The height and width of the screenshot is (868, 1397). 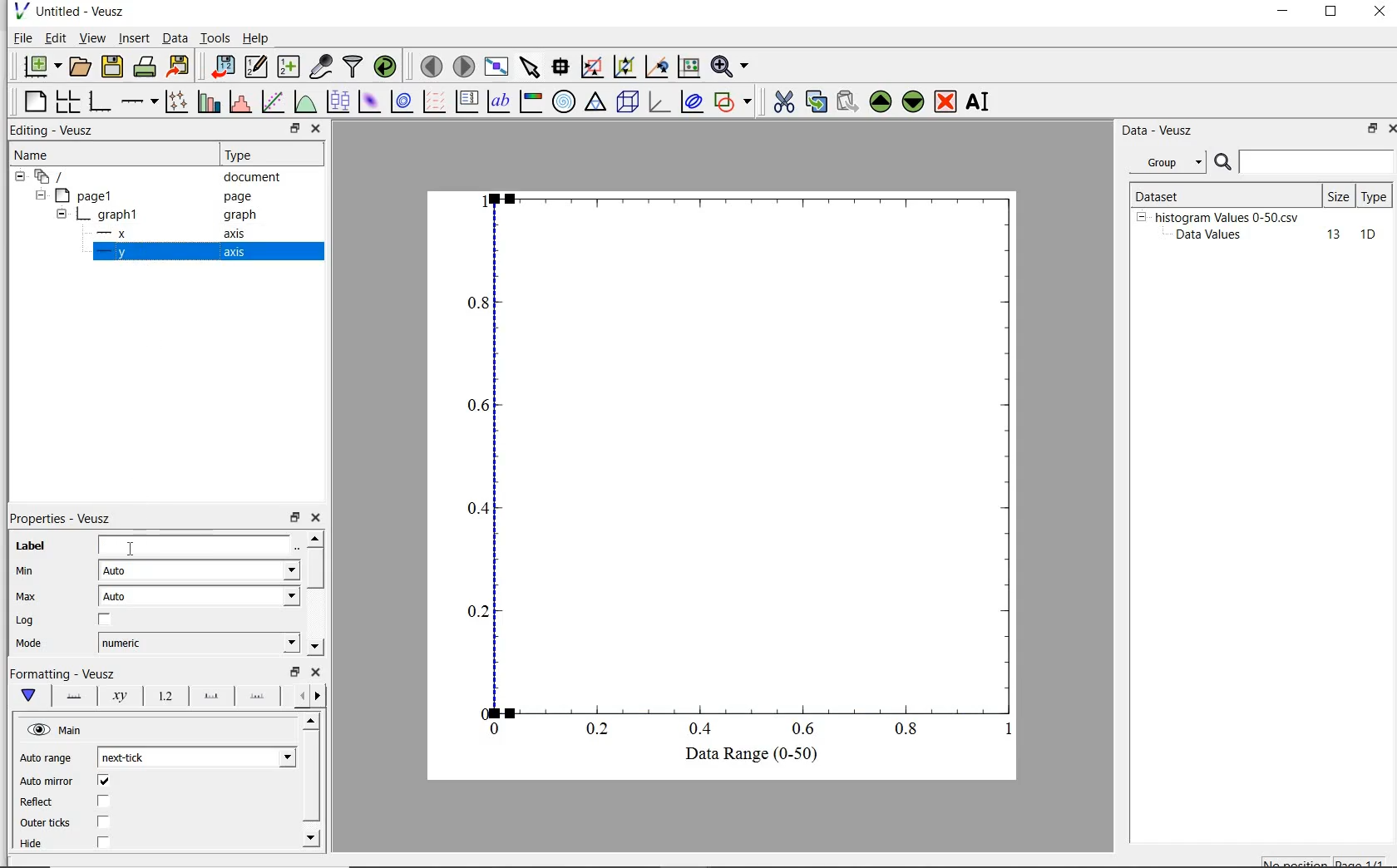 I want to click on export to graphics format, so click(x=180, y=65).